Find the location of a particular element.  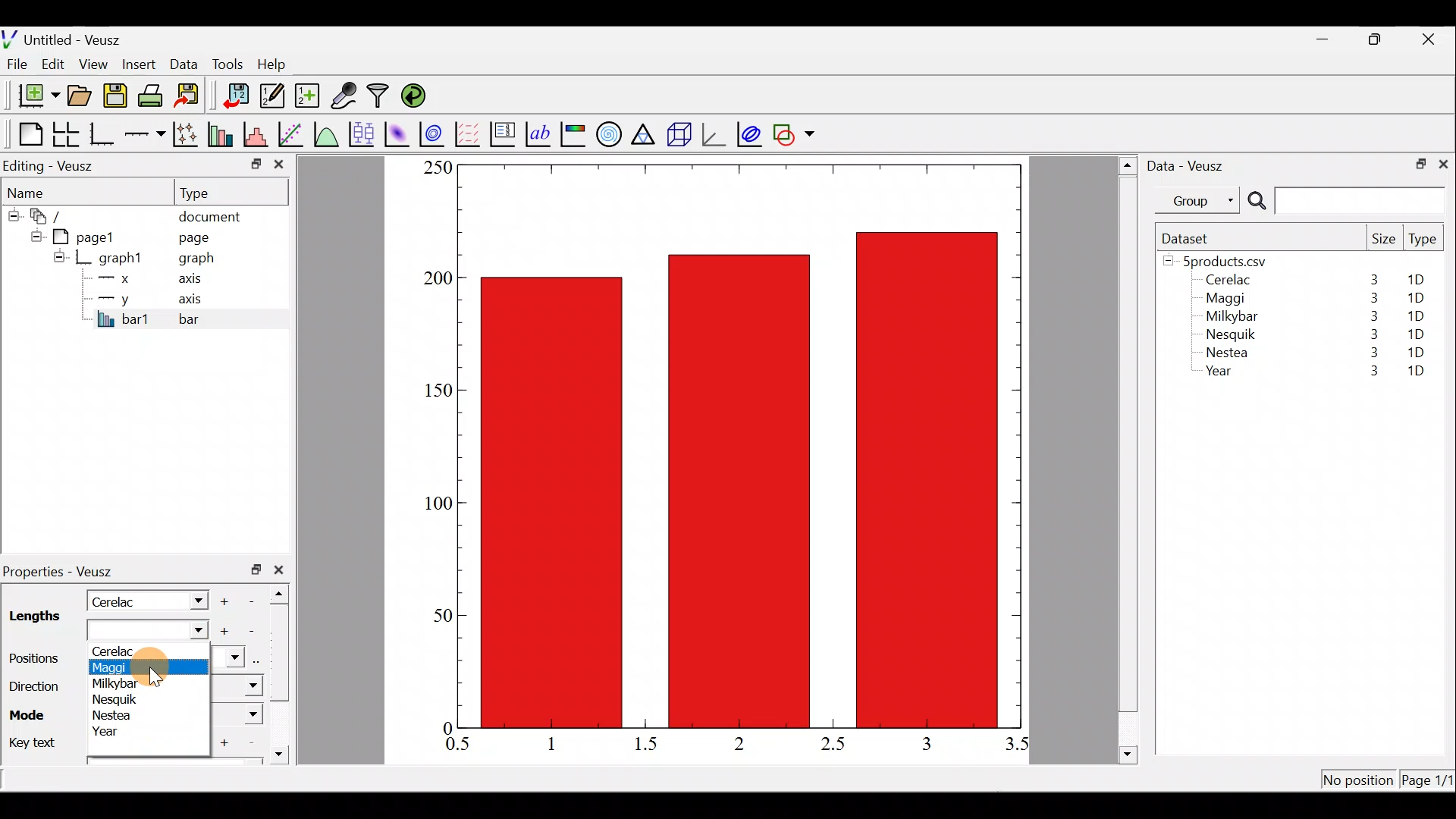

Plot bar charts is located at coordinates (222, 133).